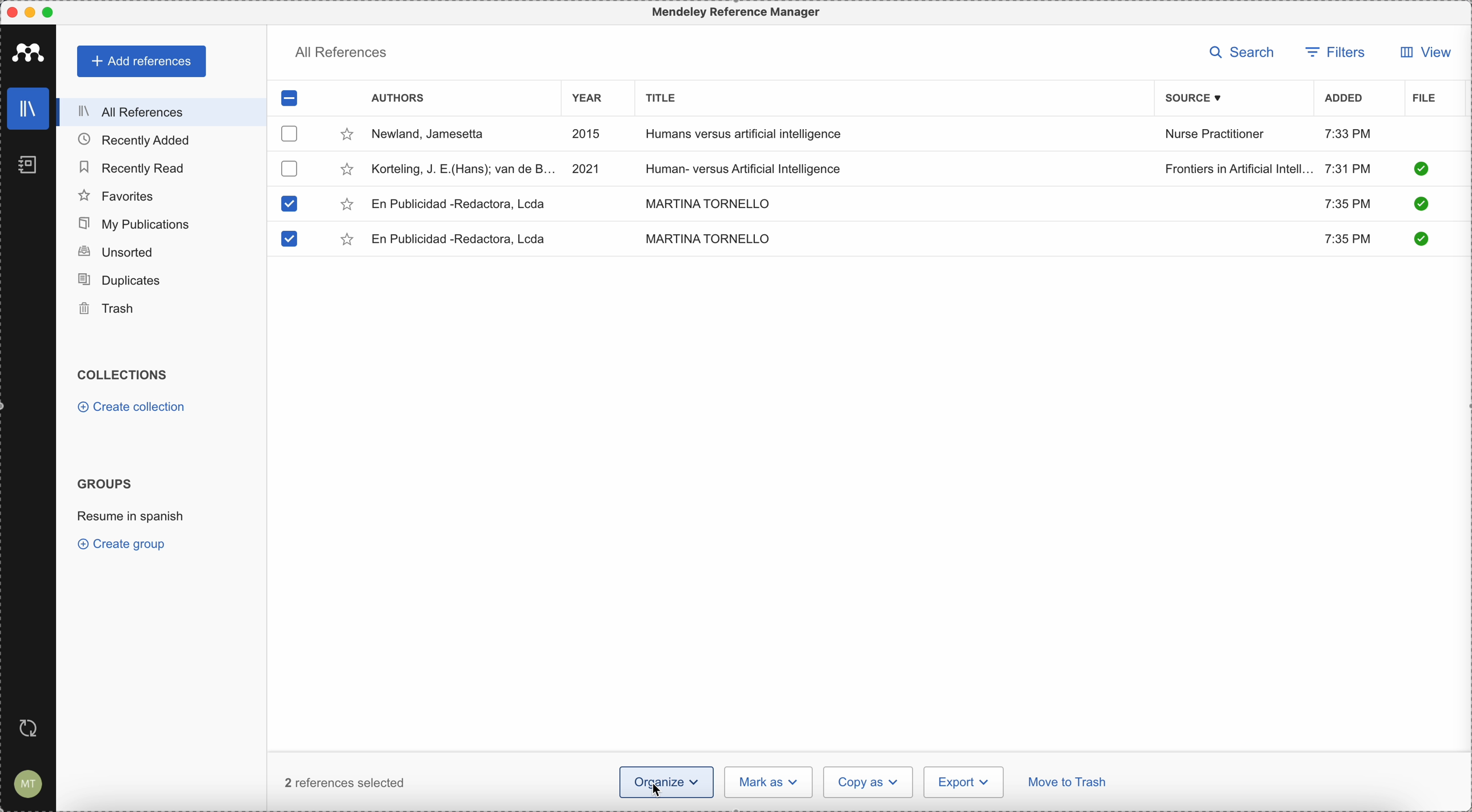 This screenshot has height=812, width=1472. I want to click on Human-versus Artificial Intelligence, so click(754, 167).